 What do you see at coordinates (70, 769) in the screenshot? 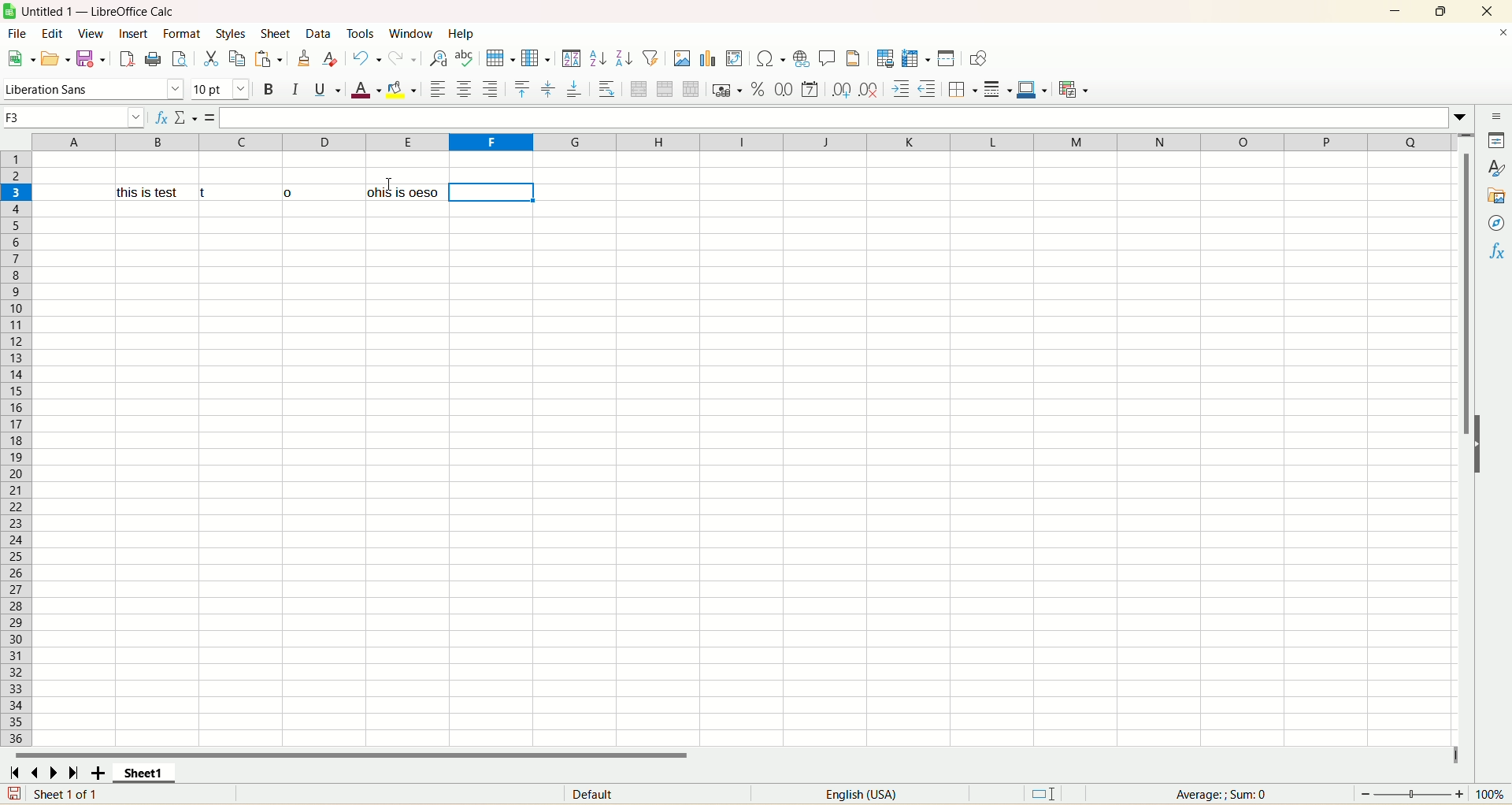
I see `scroll to last sheet` at bounding box center [70, 769].